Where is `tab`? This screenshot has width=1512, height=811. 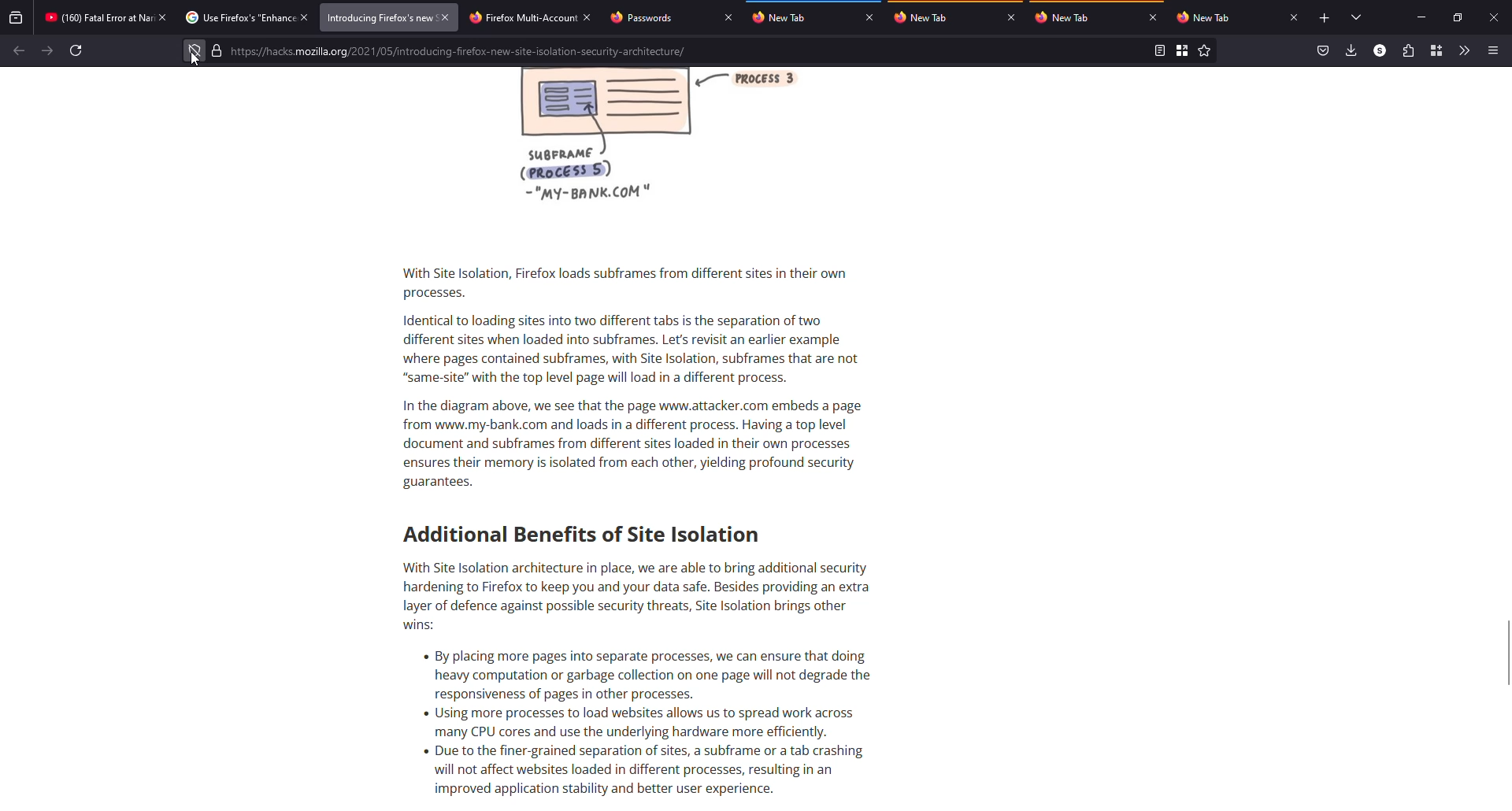
tab is located at coordinates (238, 17).